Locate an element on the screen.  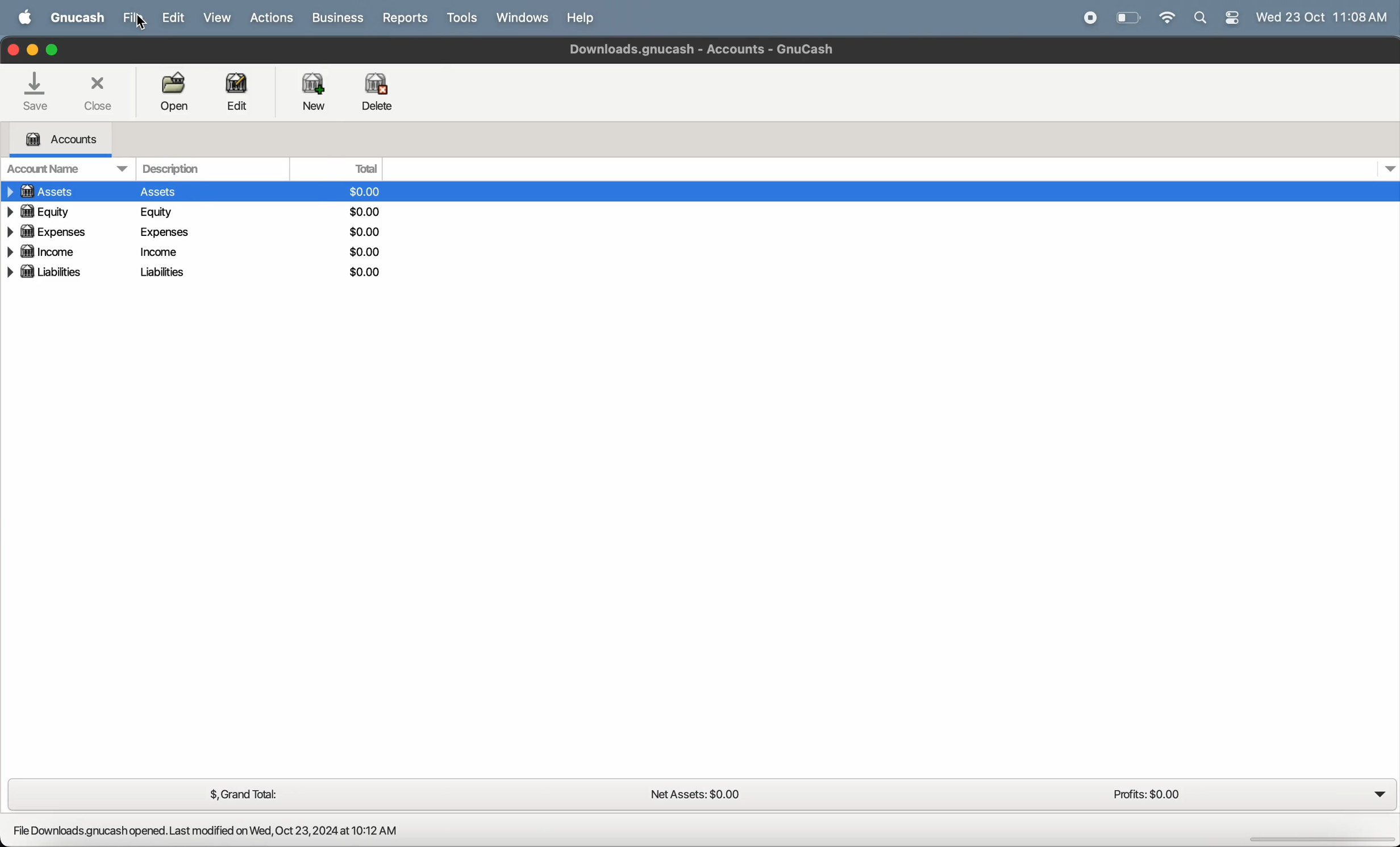
equity is located at coordinates (158, 215).